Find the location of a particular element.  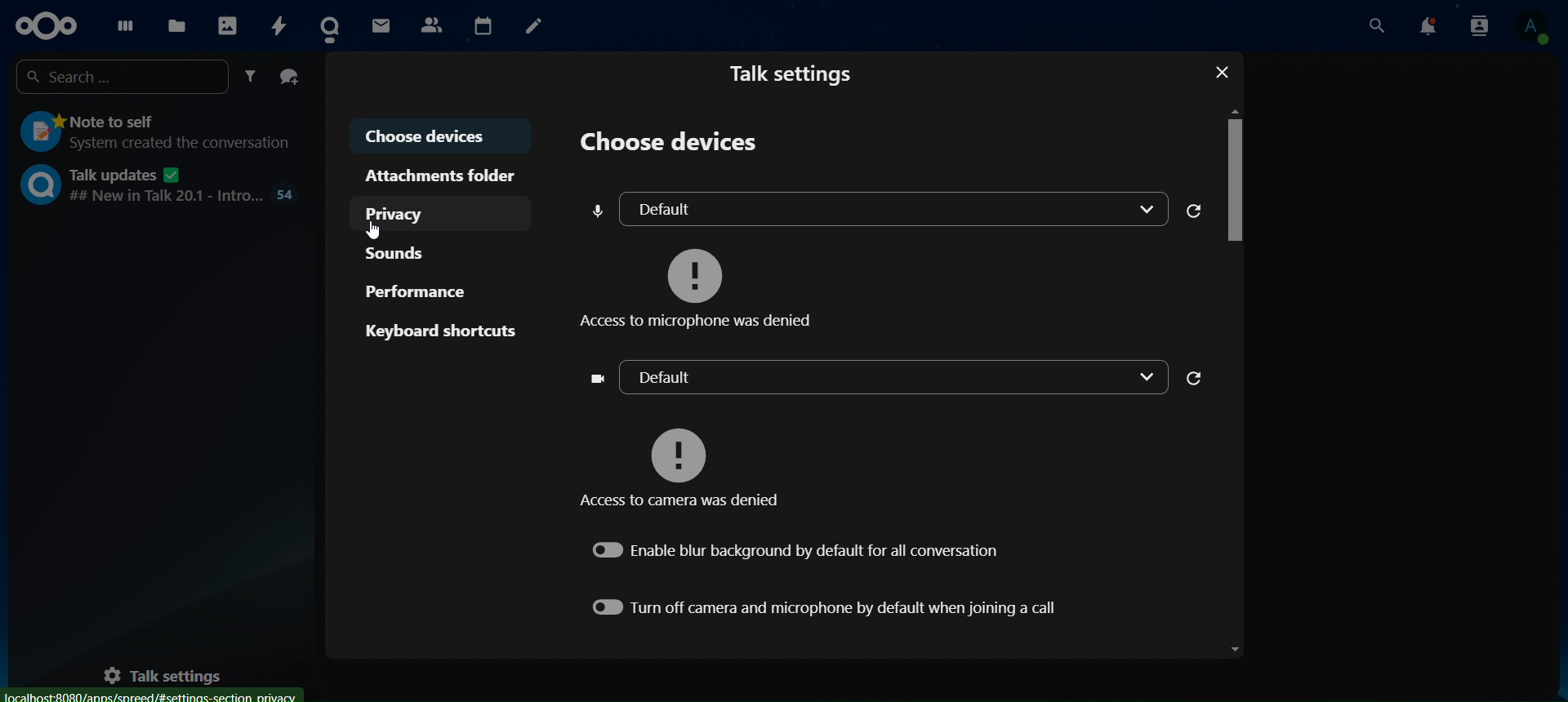

talk settings is located at coordinates (797, 73).